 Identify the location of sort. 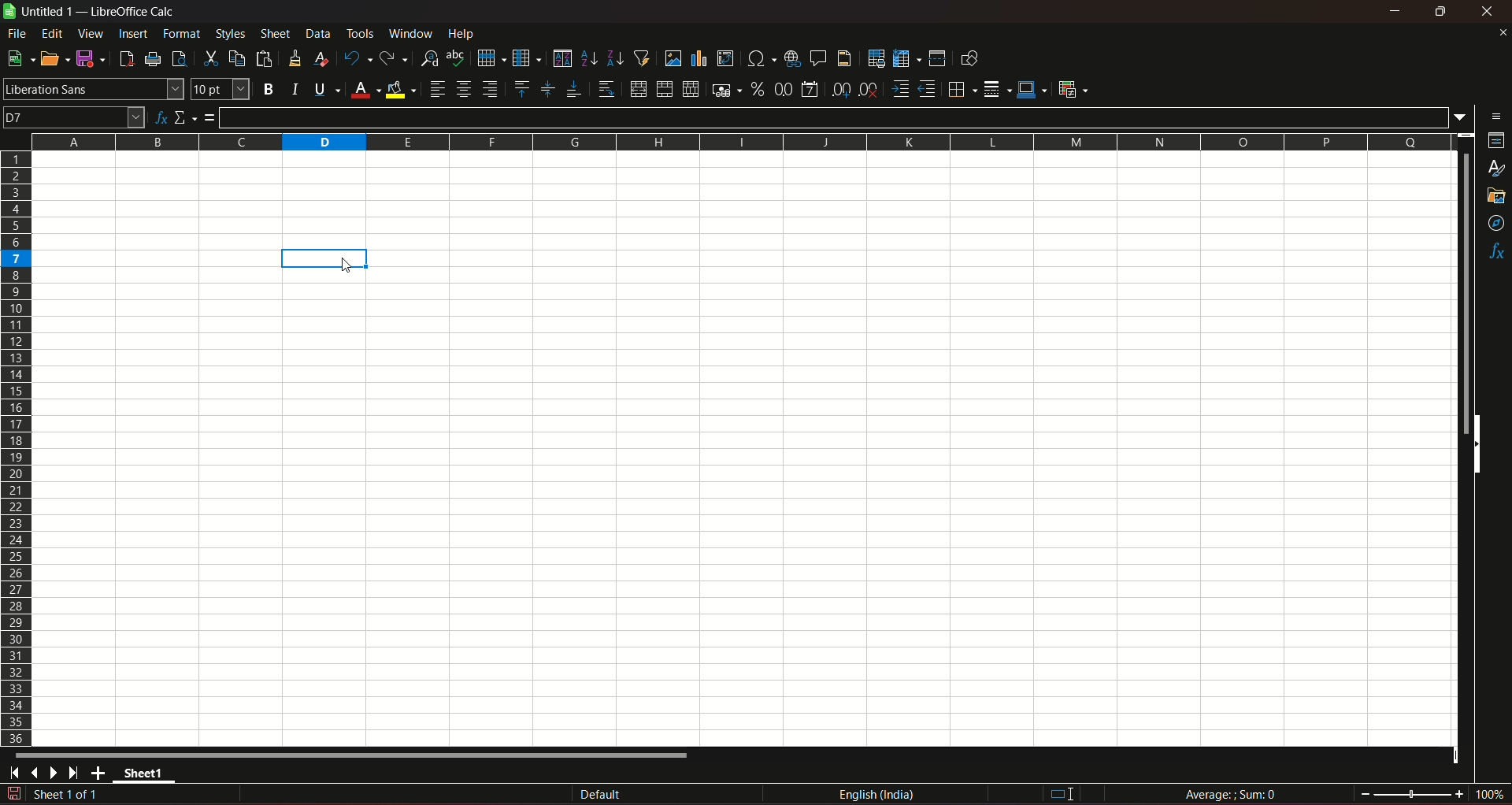
(561, 58).